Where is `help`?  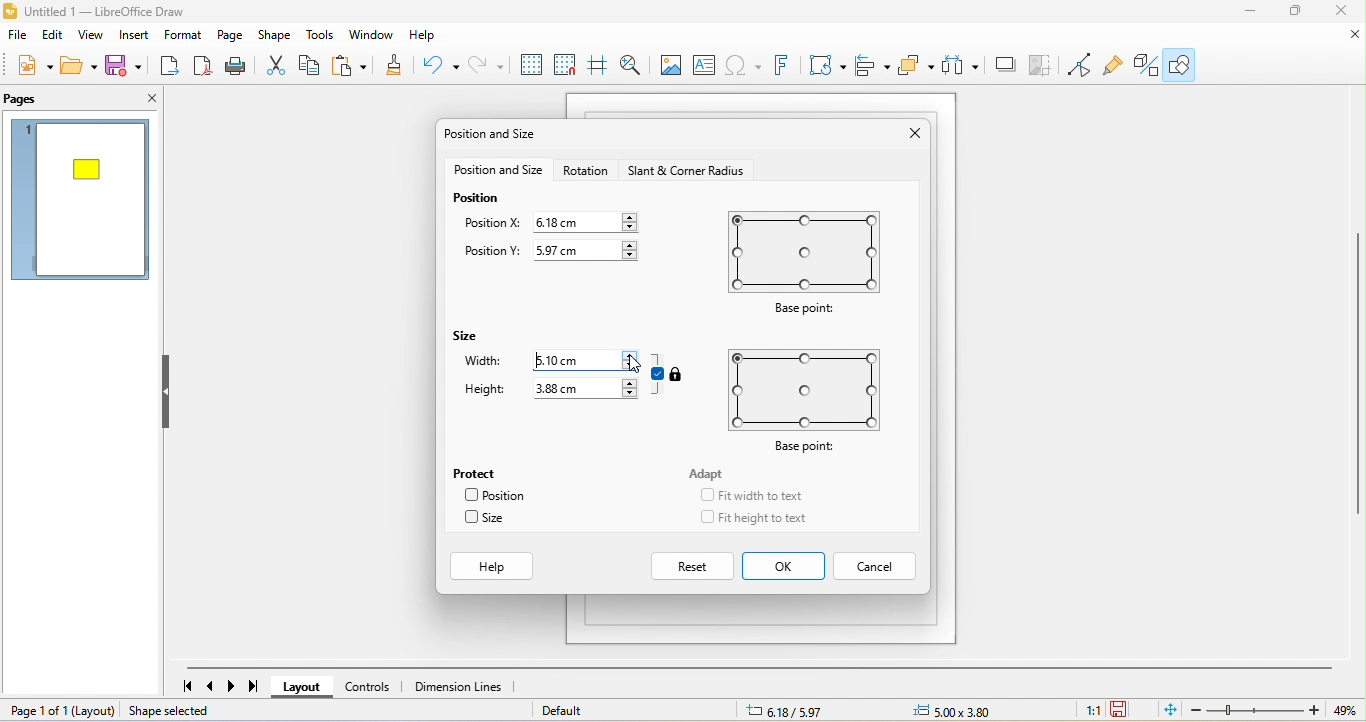 help is located at coordinates (492, 567).